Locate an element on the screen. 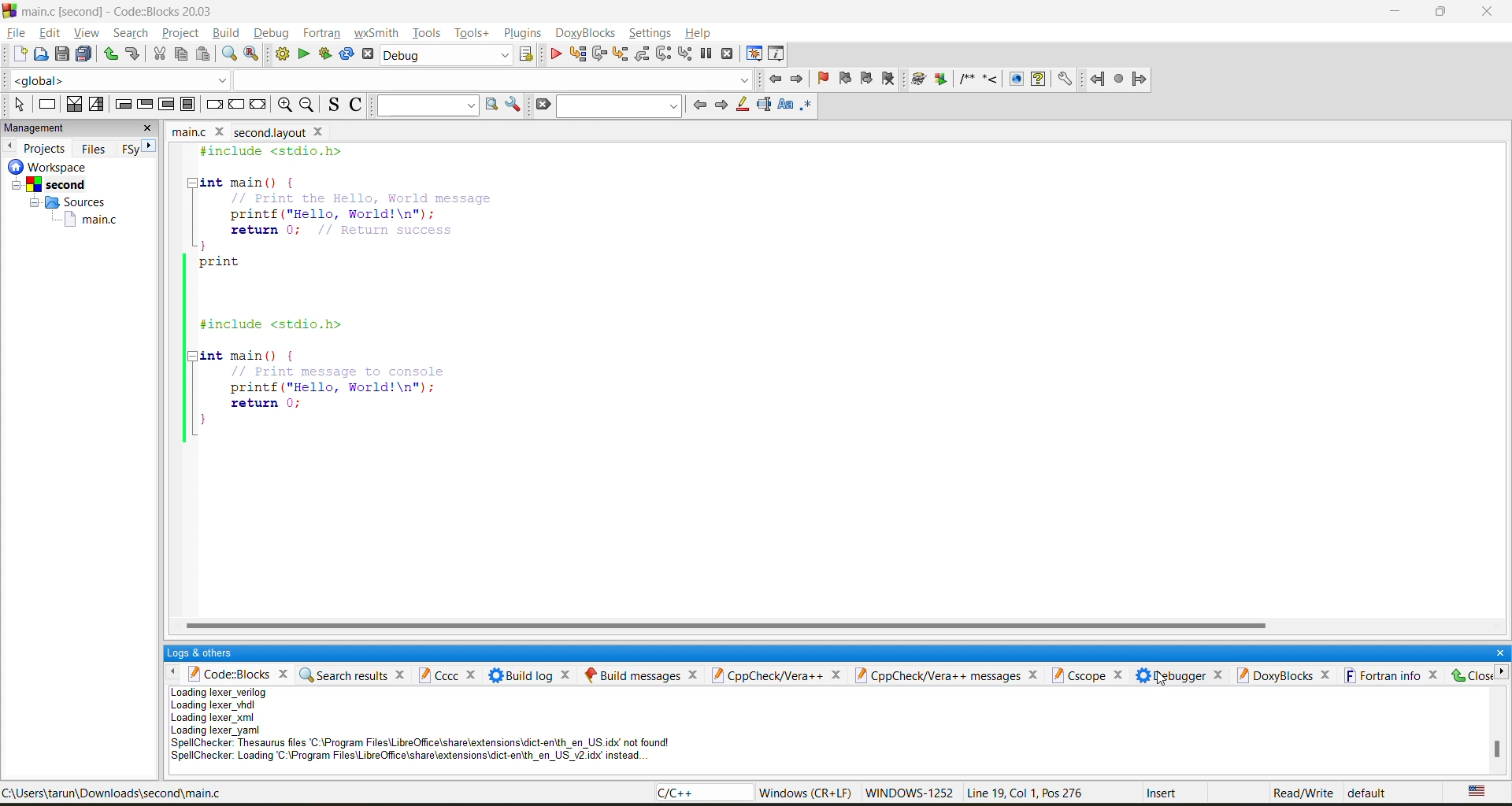  return instruction is located at coordinates (258, 105).